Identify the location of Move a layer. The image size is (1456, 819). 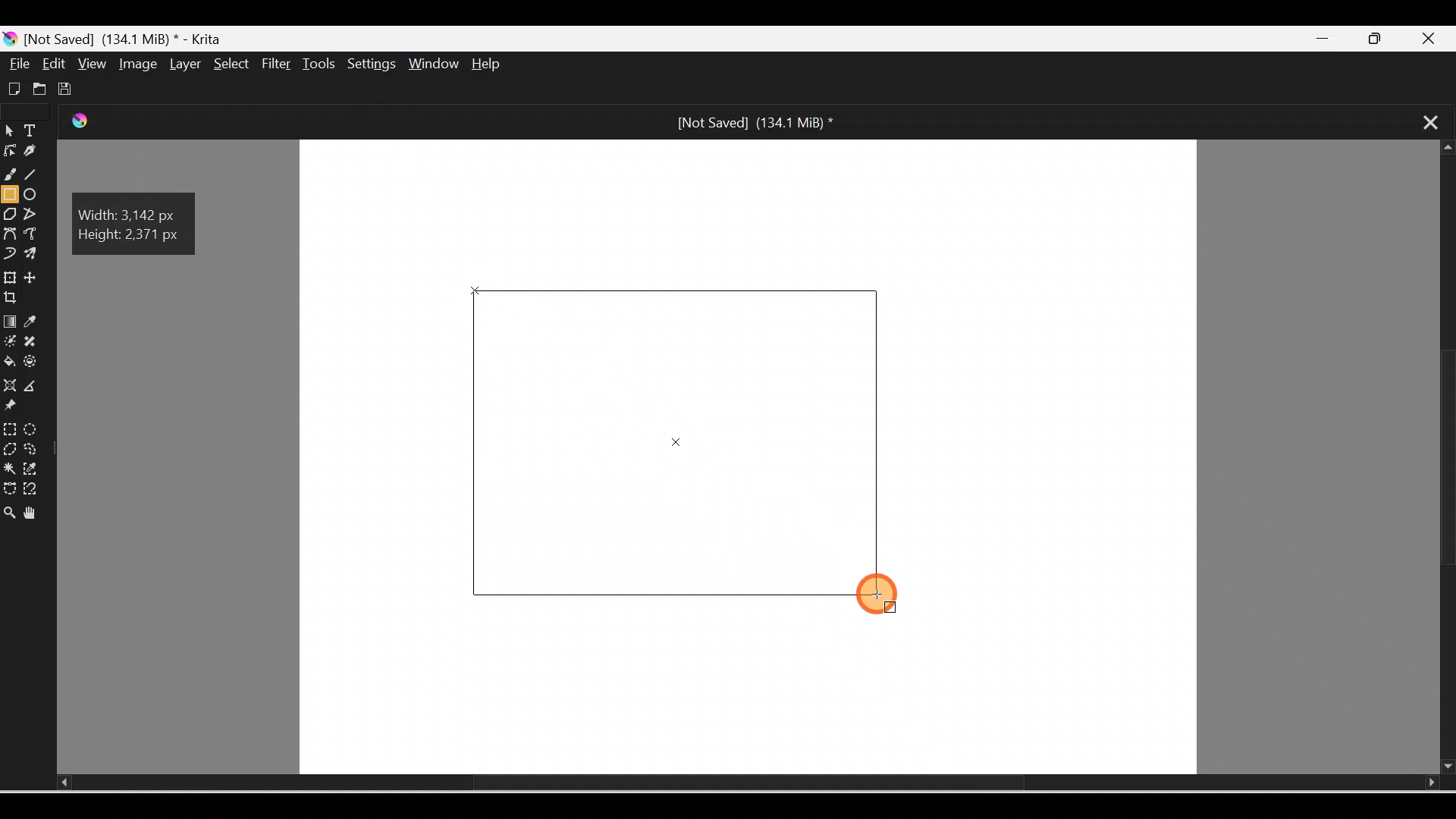
(37, 278).